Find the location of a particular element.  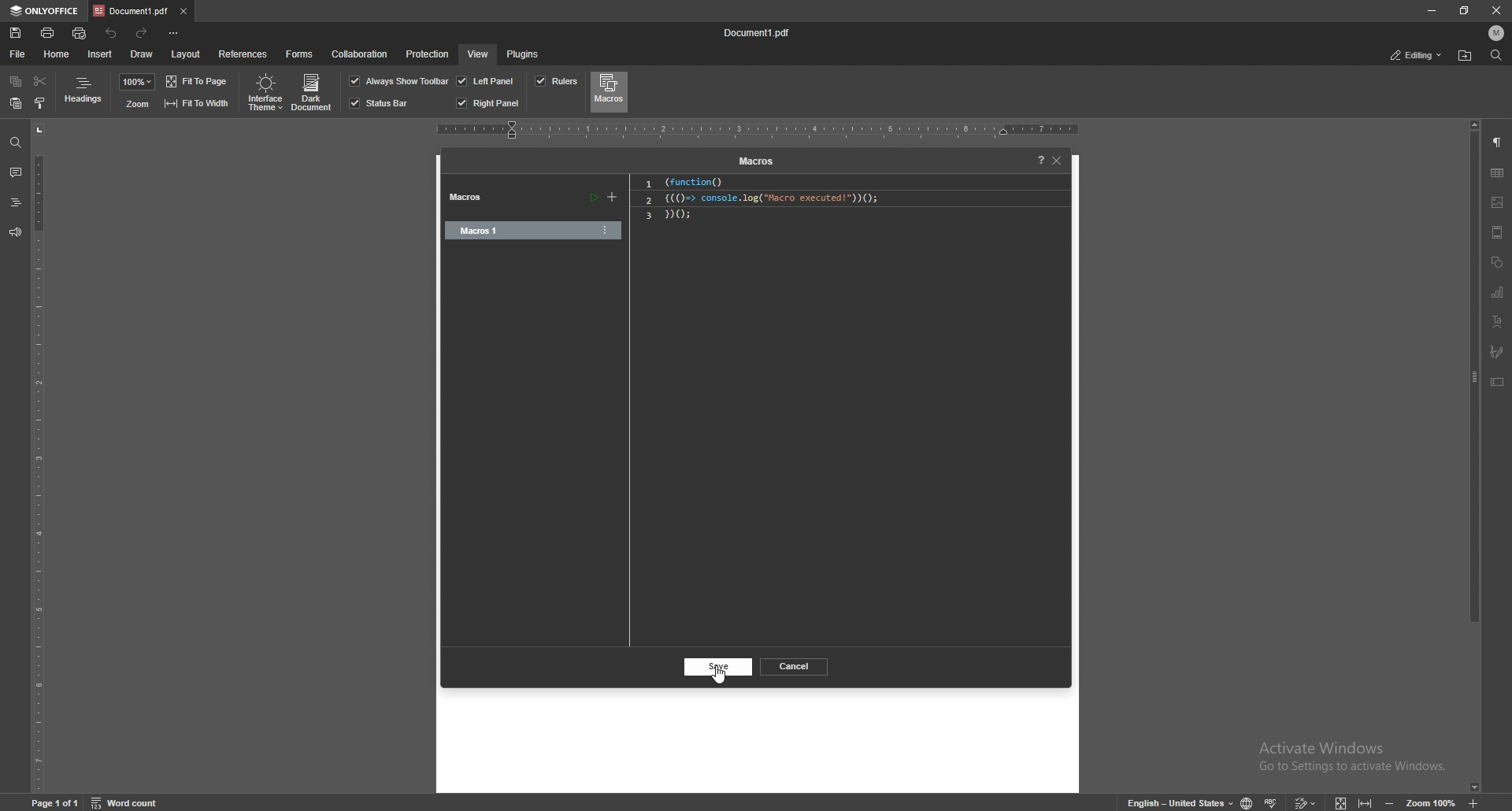

cut is located at coordinates (39, 81).